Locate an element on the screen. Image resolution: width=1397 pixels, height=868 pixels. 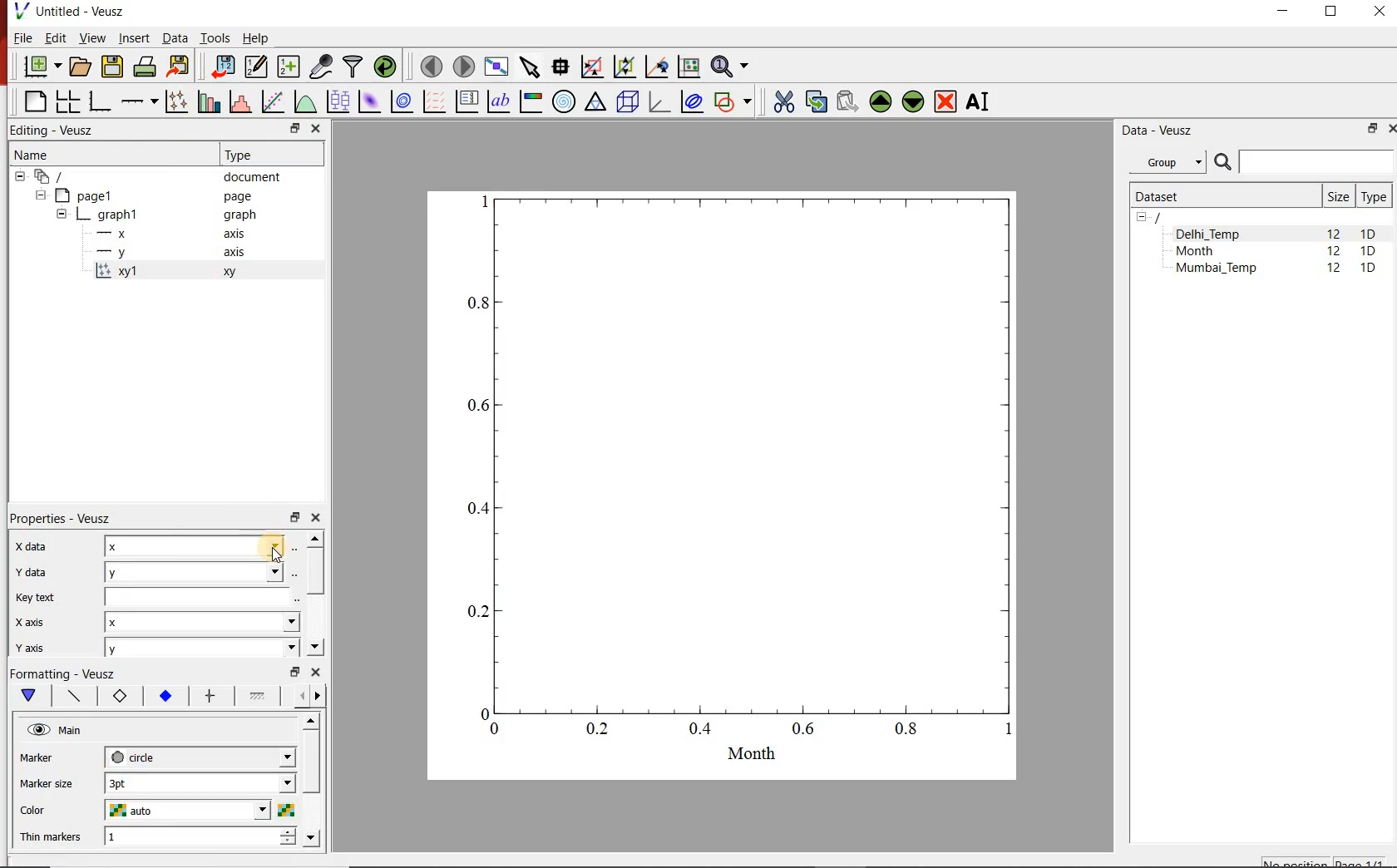
Dataset is located at coordinates (1221, 196).